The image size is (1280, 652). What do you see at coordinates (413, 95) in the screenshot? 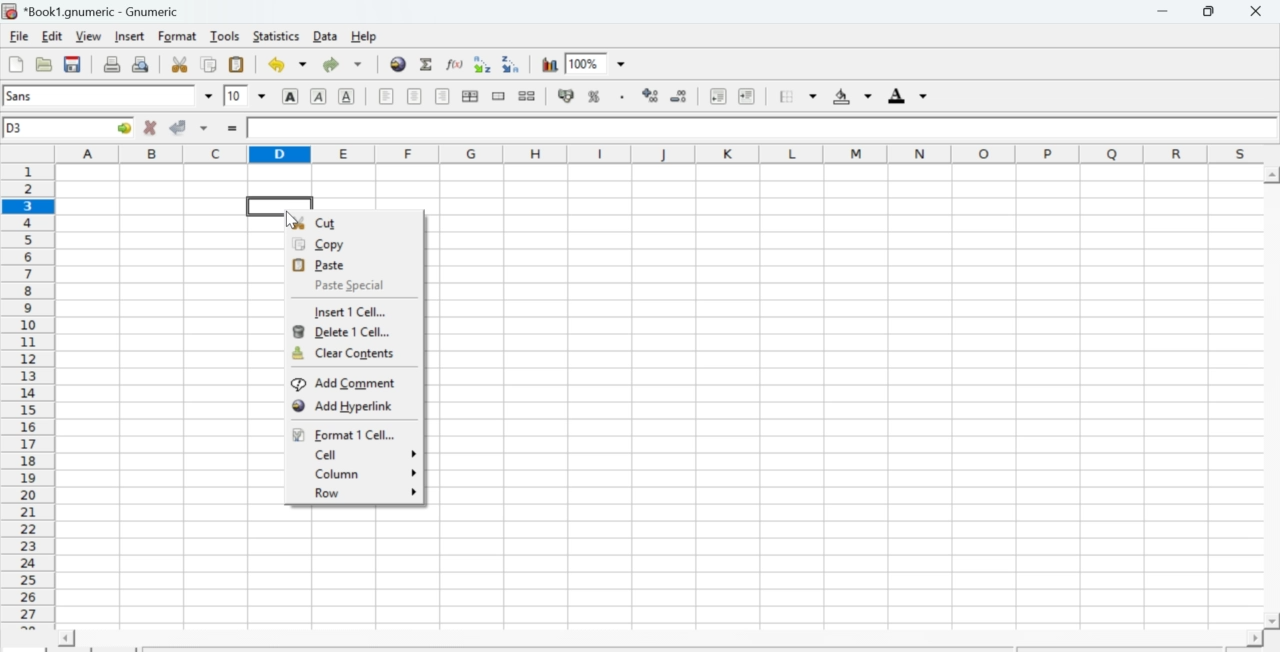
I see `Center horizontally` at bounding box center [413, 95].